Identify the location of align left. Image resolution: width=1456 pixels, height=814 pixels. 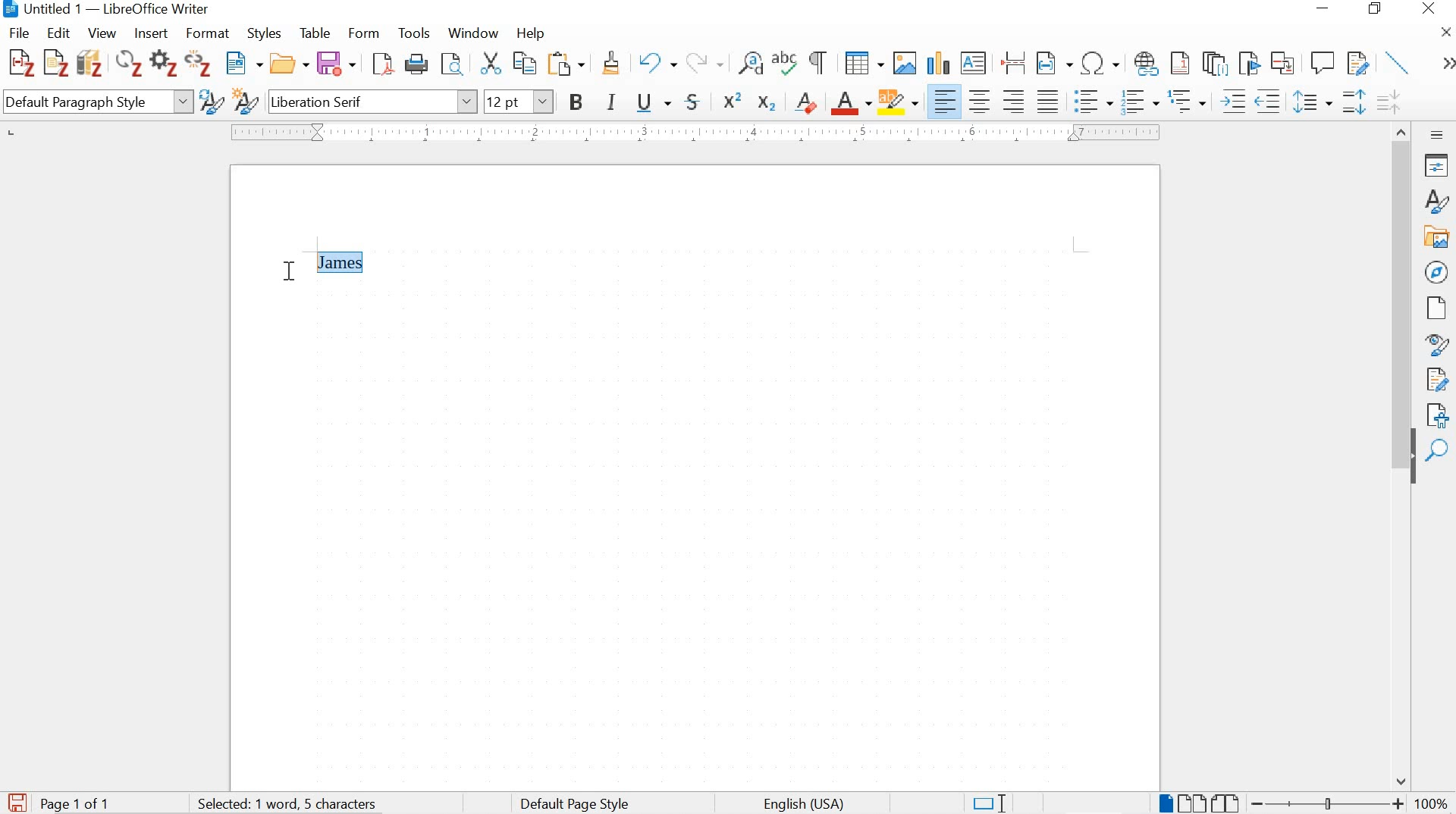
(946, 102).